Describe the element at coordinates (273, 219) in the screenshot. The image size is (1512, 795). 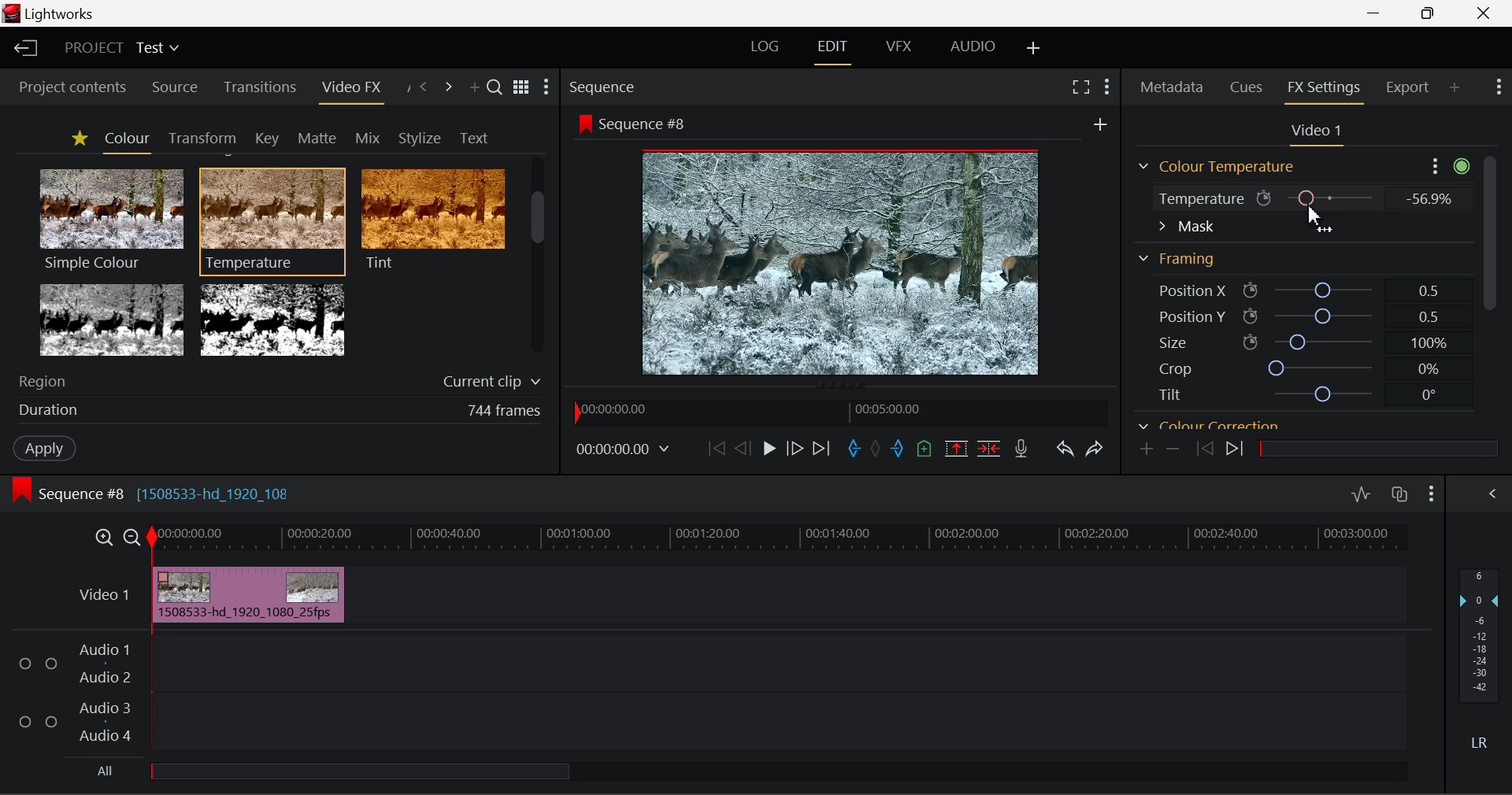
I see `Temperature` at that location.